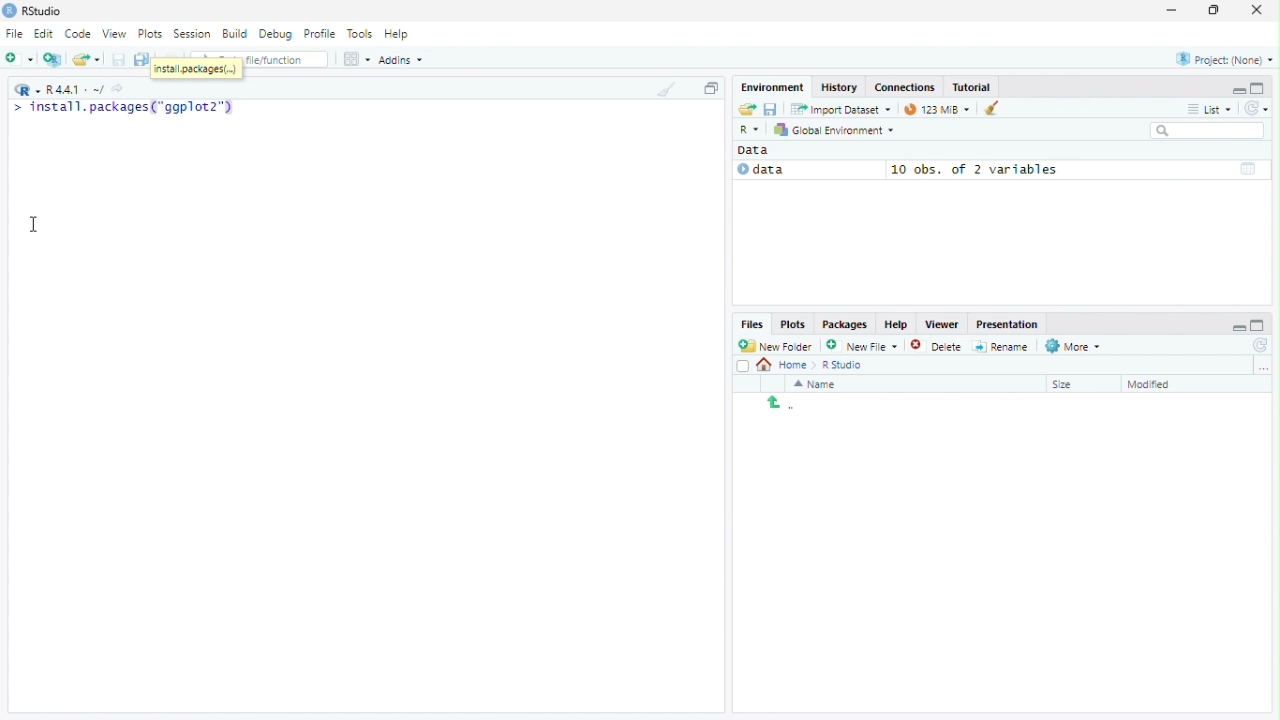 The image size is (1280, 720). What do you see at coordinates (1209, 131) in the screenshot?
I see `Search` at bounding box center [1209, 131].